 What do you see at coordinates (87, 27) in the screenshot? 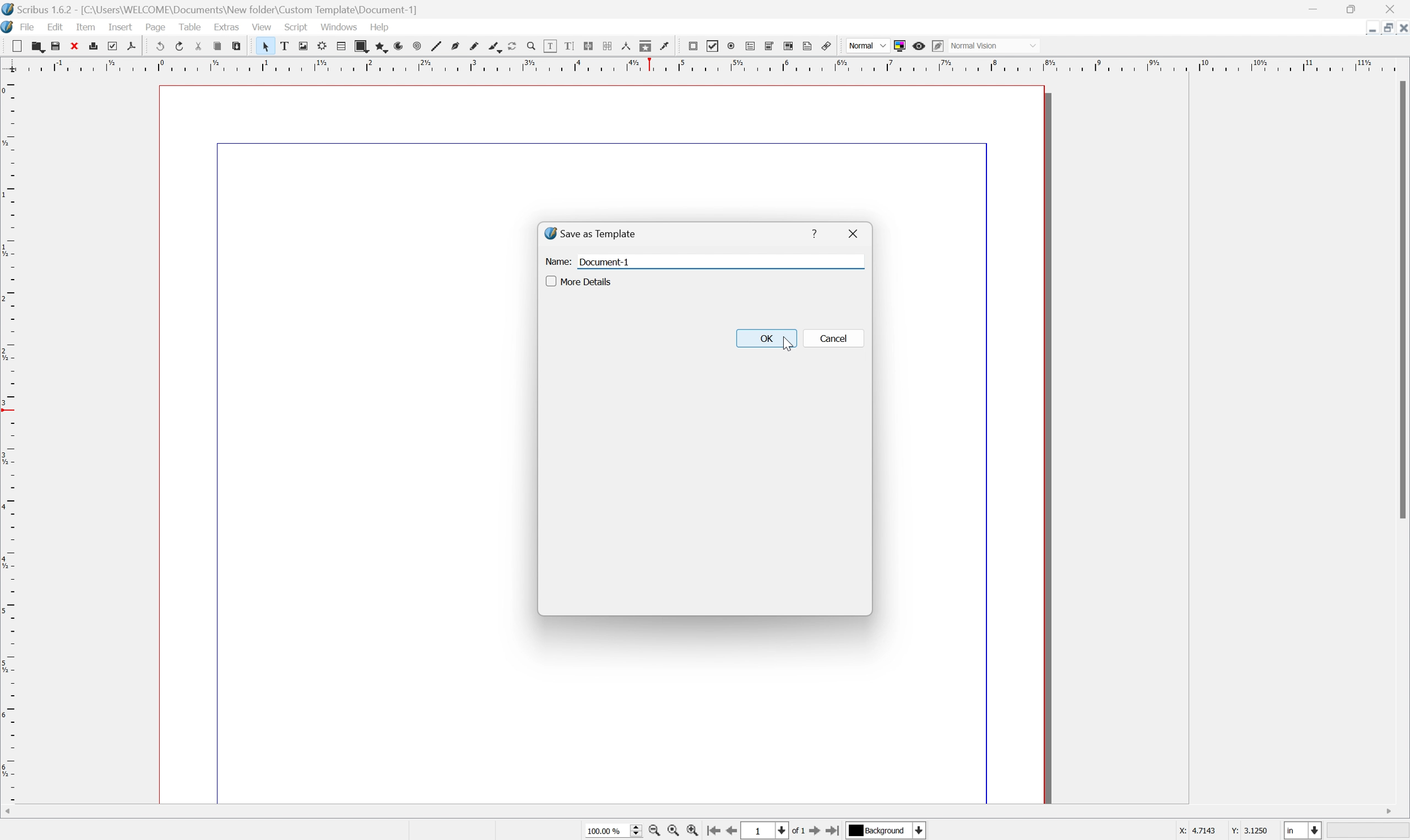
I see `item` at bounding box center [87, 27].